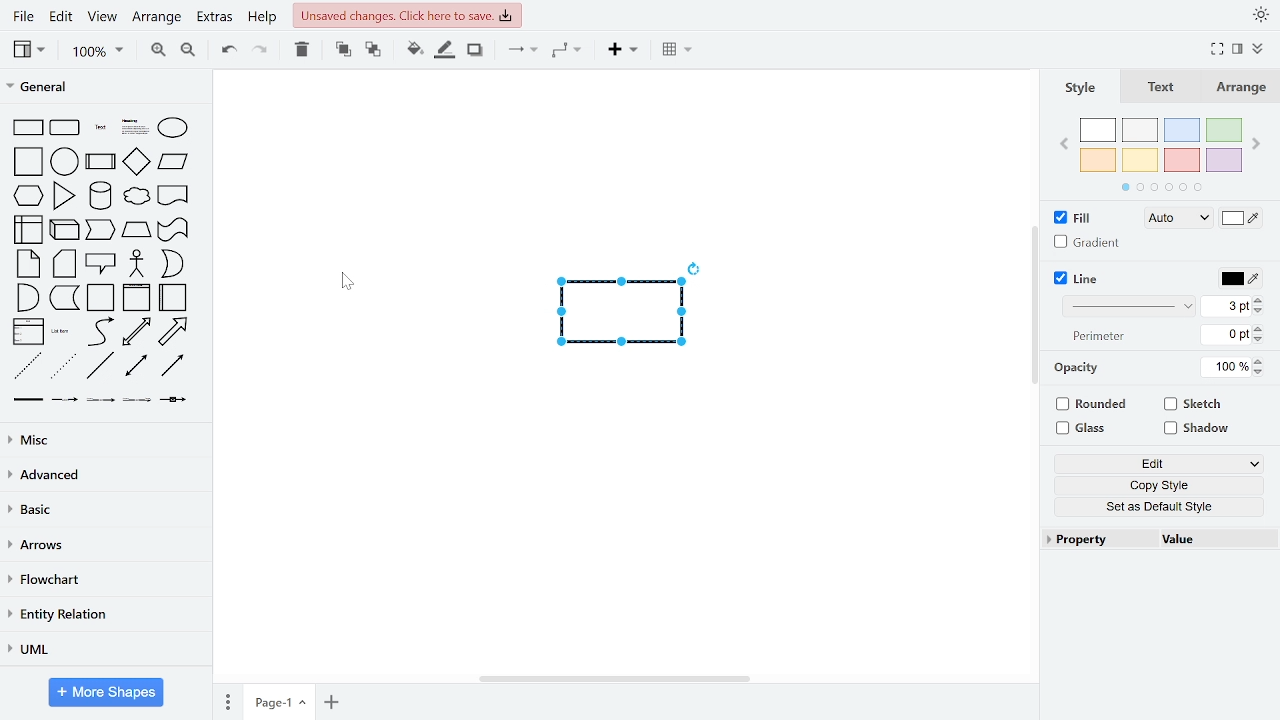 The width and height of the screenshot is (1280, 720). What do you see at coordinates (1254, 145) in the screenshot?
I see `next` at bounding box center [1254, 145].